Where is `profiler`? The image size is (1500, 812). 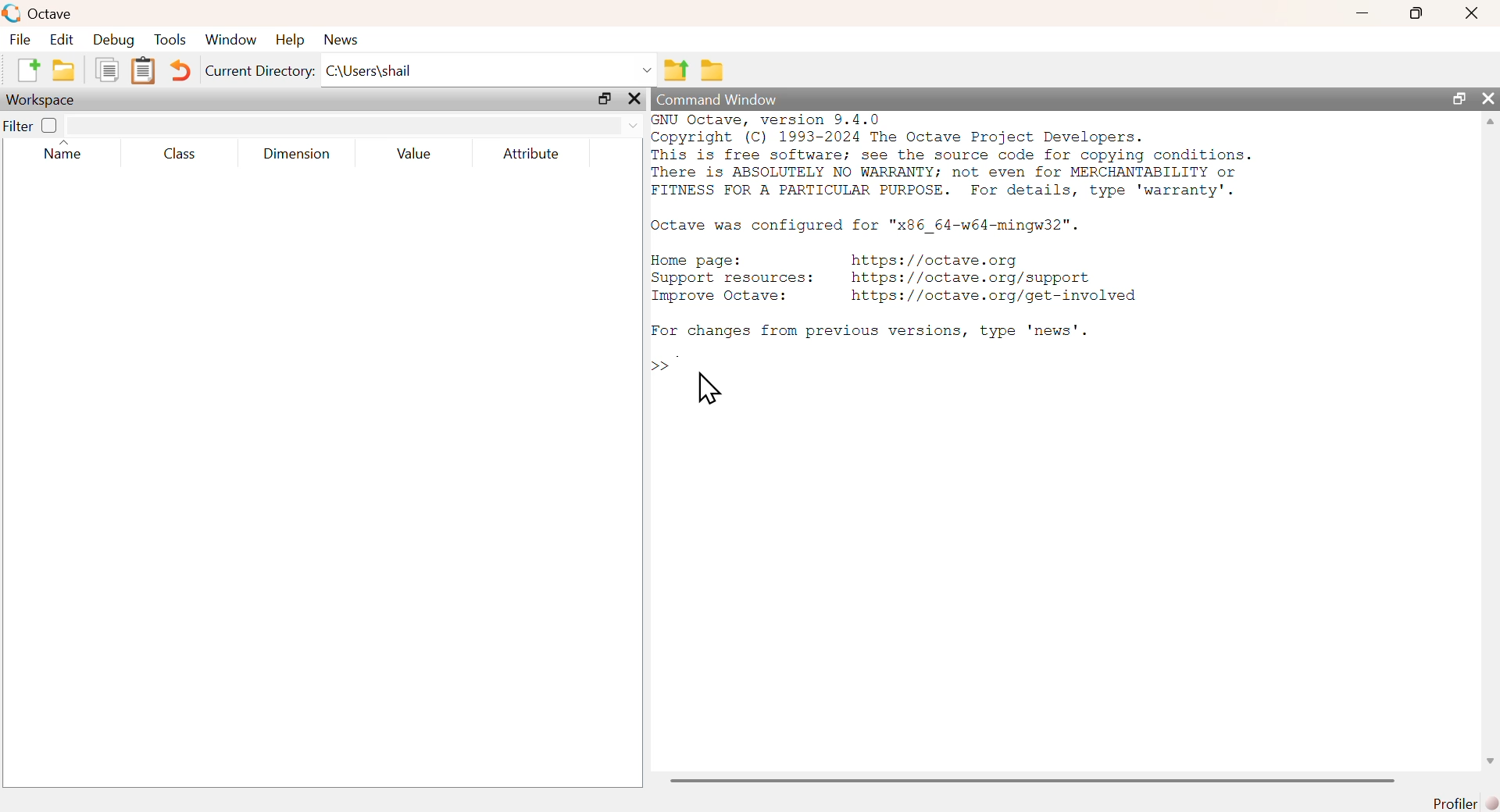
profiler is located at coordinates (1462, 803).